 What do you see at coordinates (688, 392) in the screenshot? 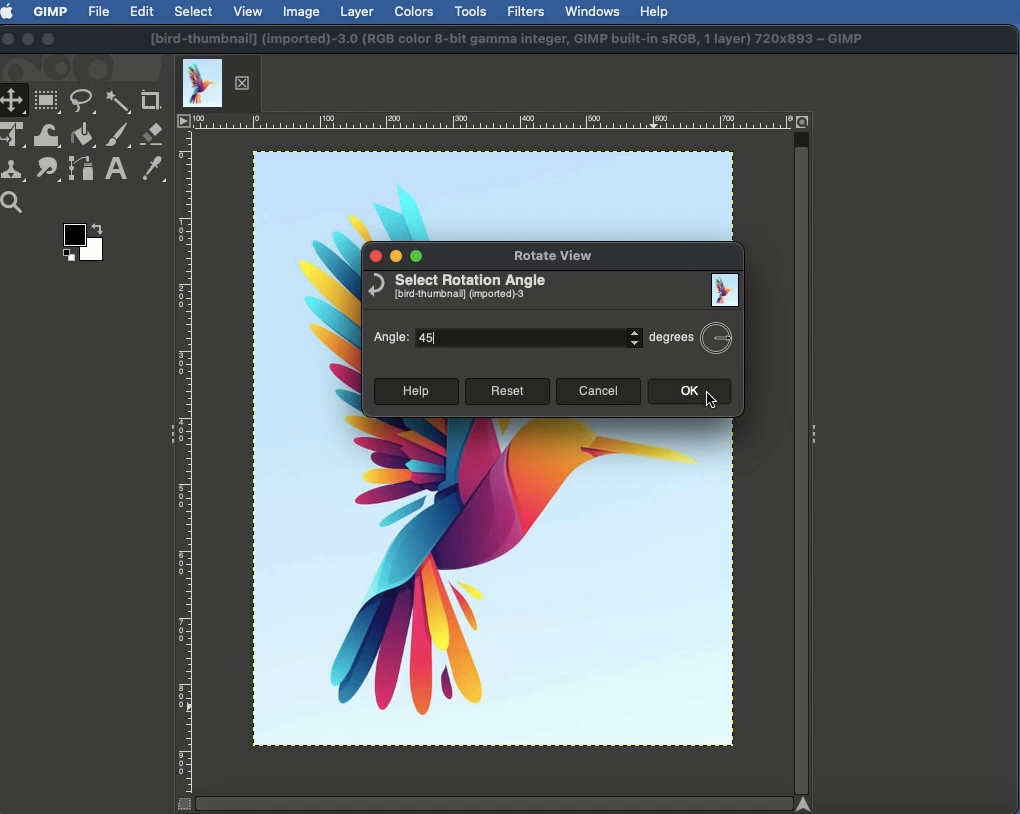
I see `OK` at bounding box center [688, 392].